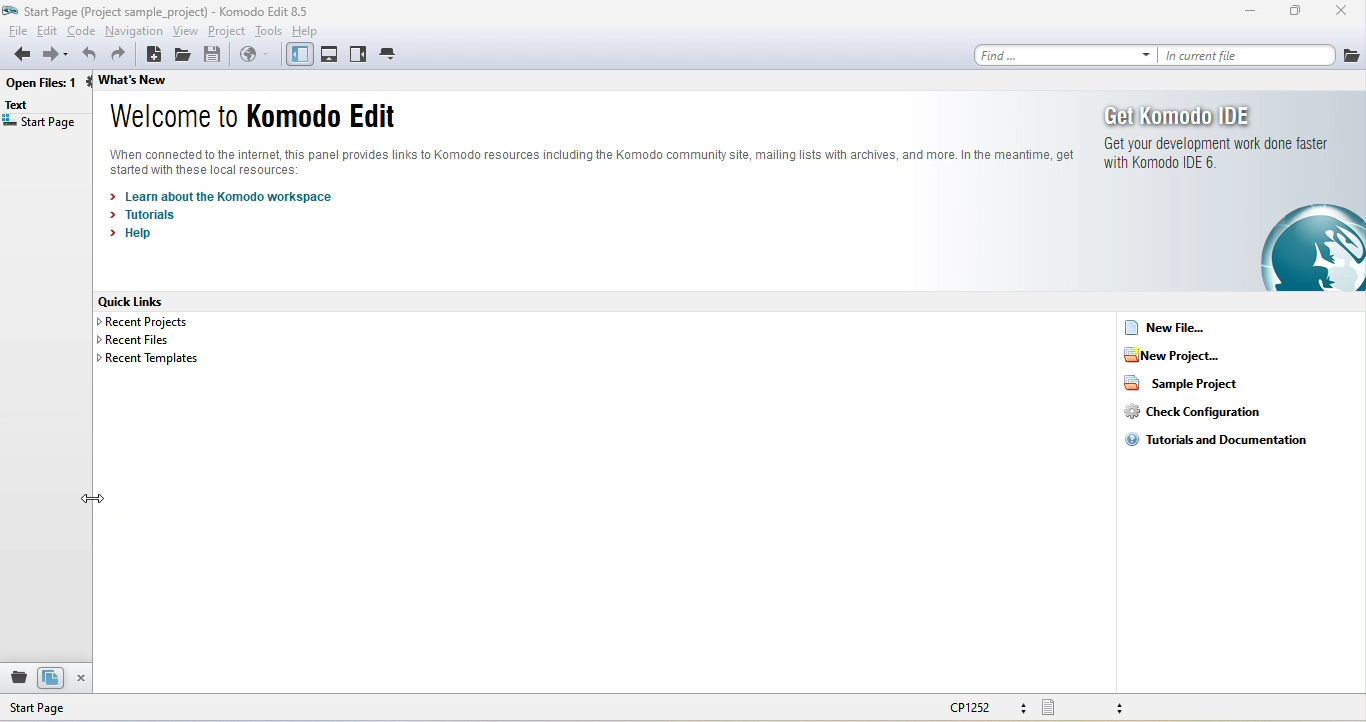 This screenshot has height=722, width=1366. I want to click on recent templates, so click(147, 357).